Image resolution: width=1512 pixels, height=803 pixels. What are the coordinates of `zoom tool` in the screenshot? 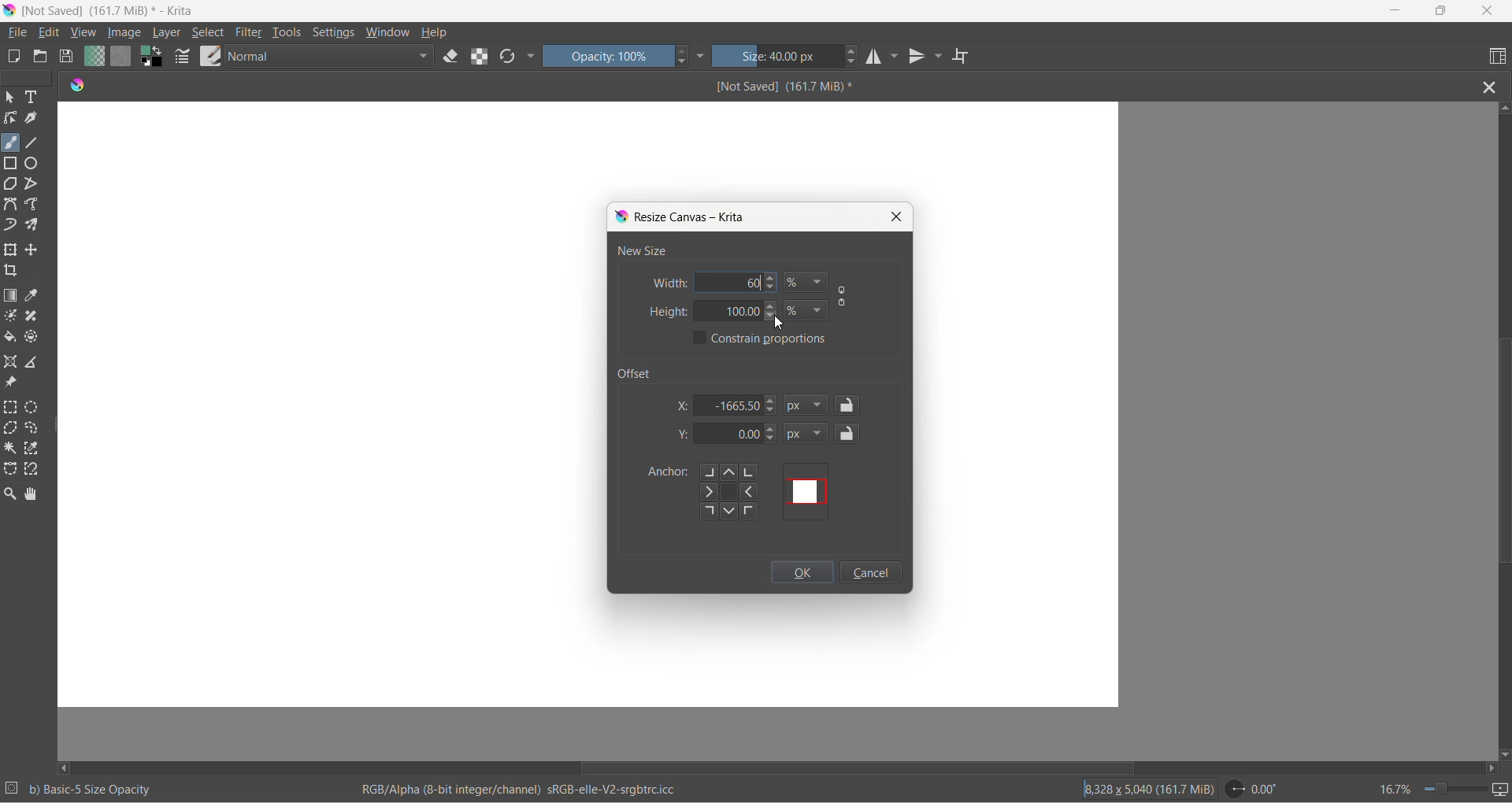 It's located at (13, 494).